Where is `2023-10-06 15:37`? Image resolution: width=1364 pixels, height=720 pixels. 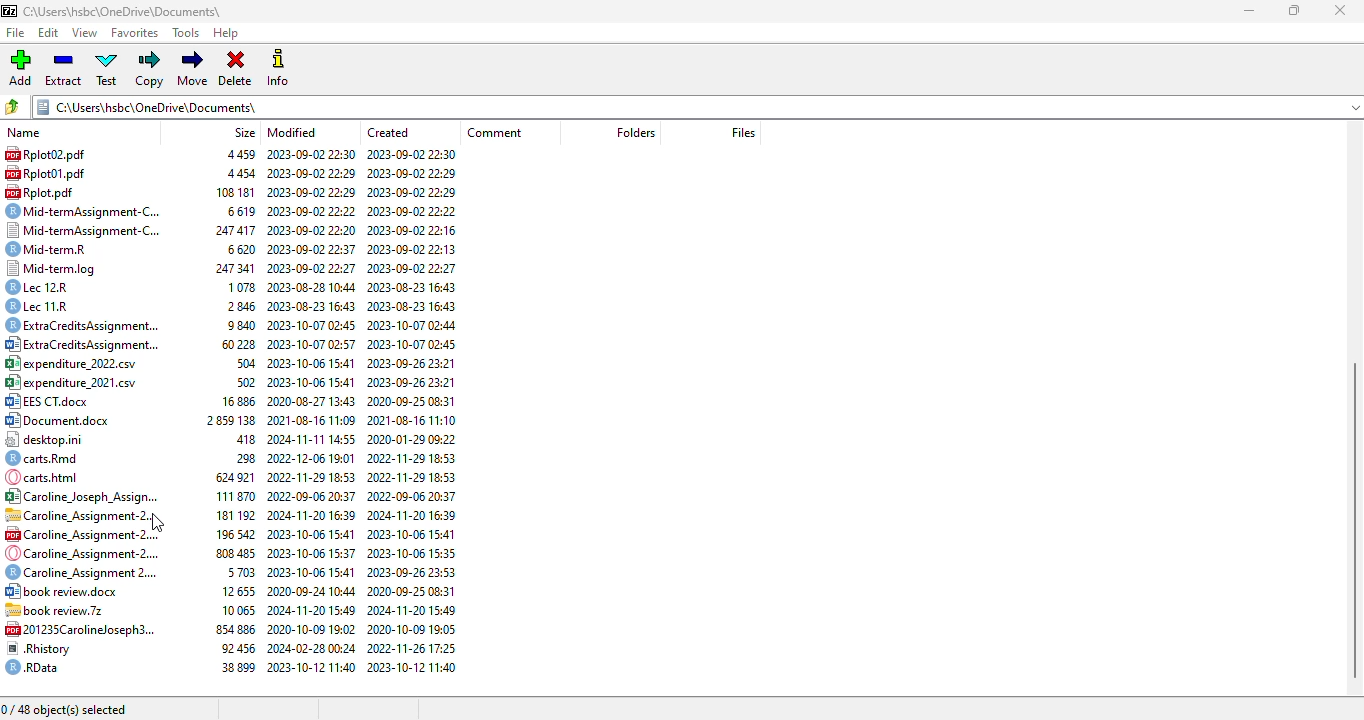 2023-10-06 15:37 is located at coordinates (312, 553).